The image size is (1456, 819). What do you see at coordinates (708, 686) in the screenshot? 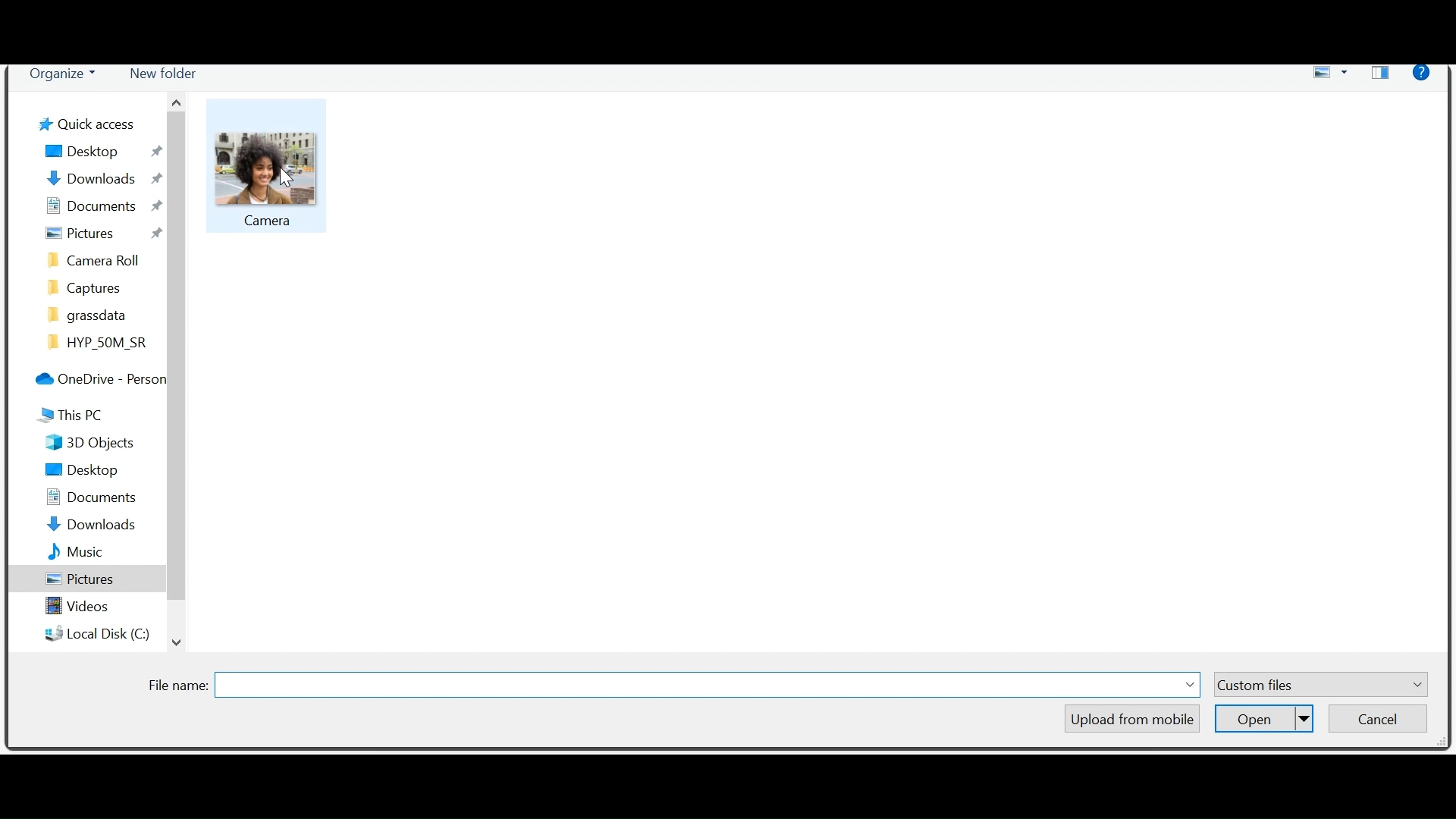
I see `Field name` at bounding box center [708, 686].